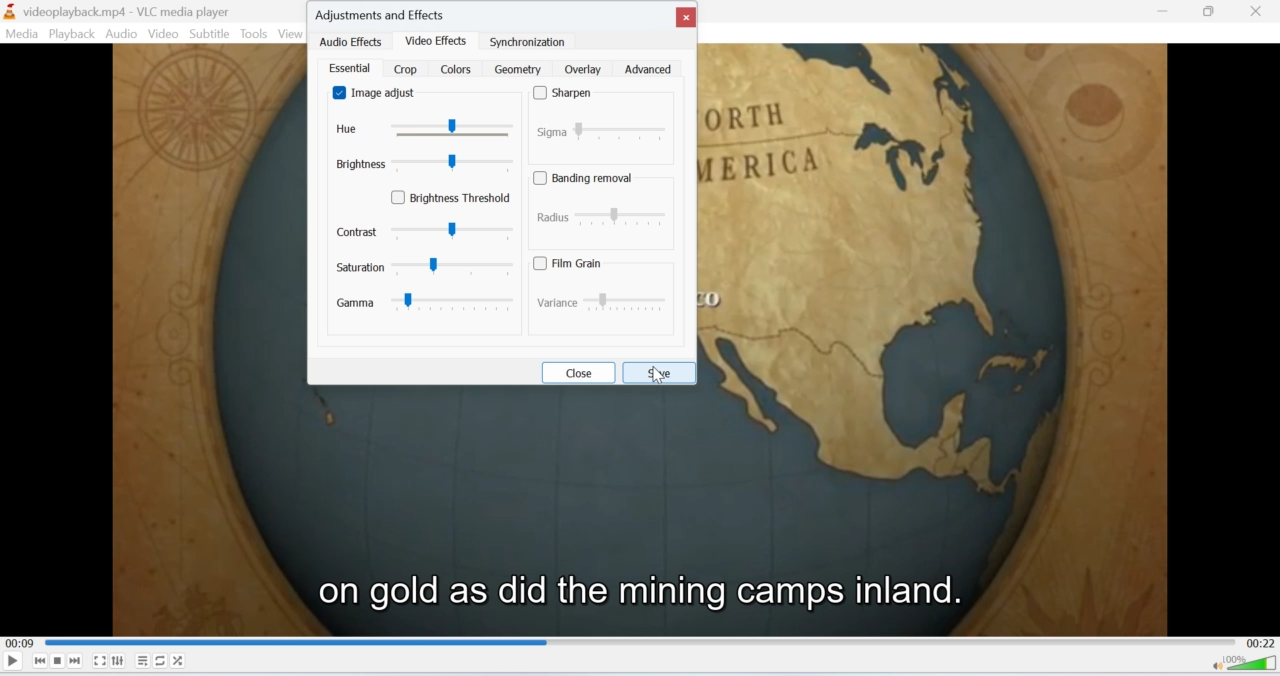 This screenshot has height=676, width=1280. Describe the element at coordinates (427, 230) in the screenshot. I see `contrast` at that location.